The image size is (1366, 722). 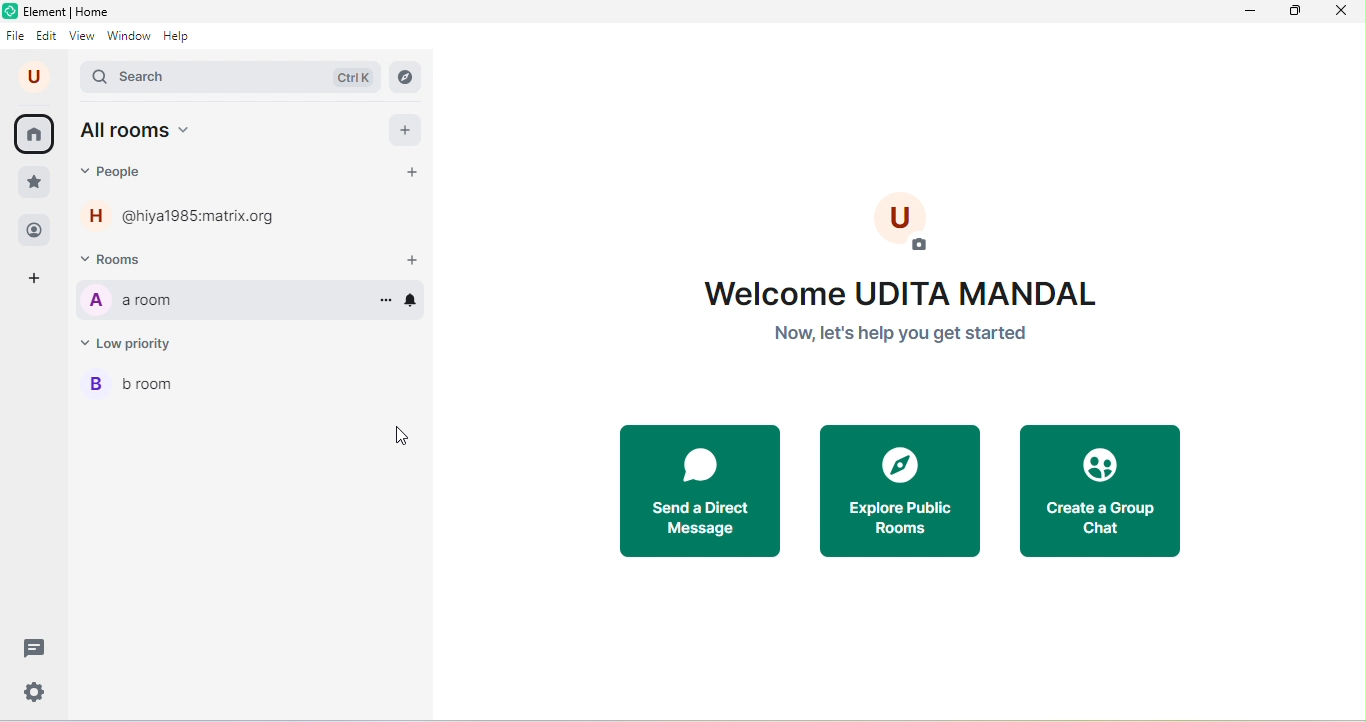 I want to click on explore rooms, so click(x=406, y=75).